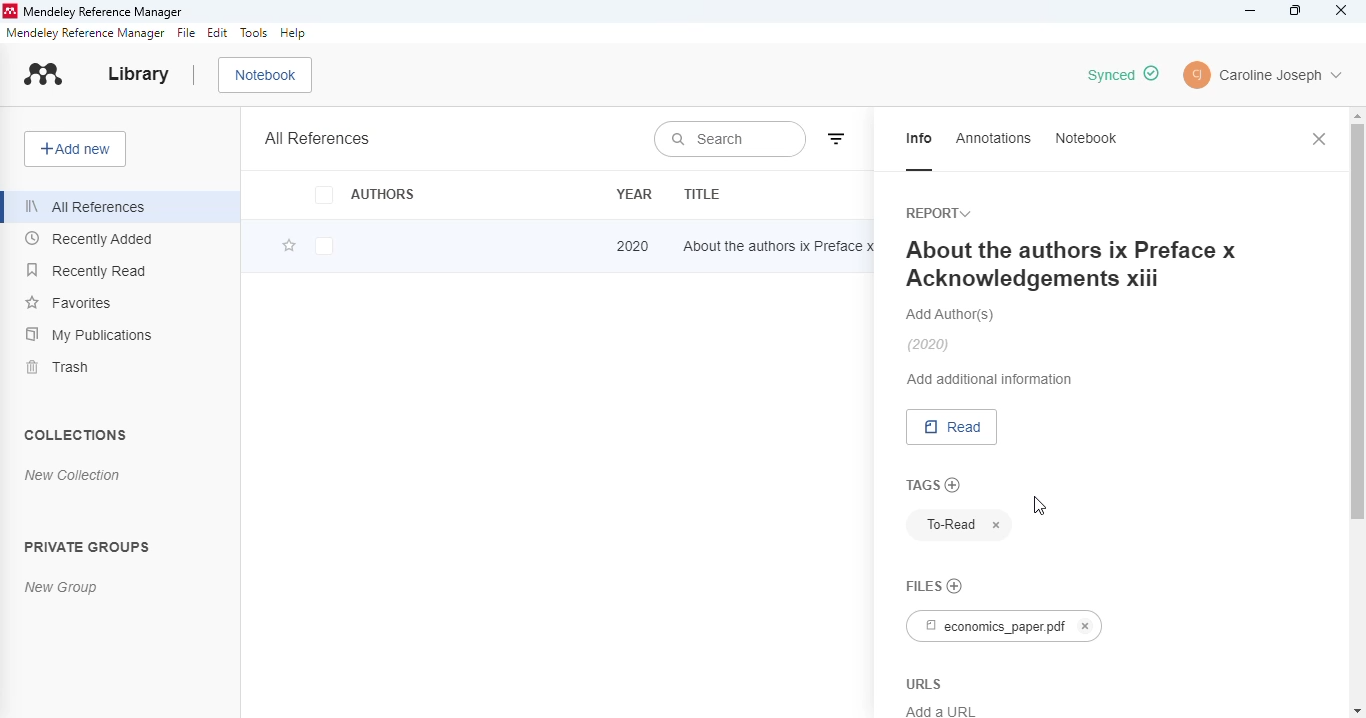  What do you see at coordinates (919, 138) in the screenshot?
I see `info` at bounding box center [919, 138].